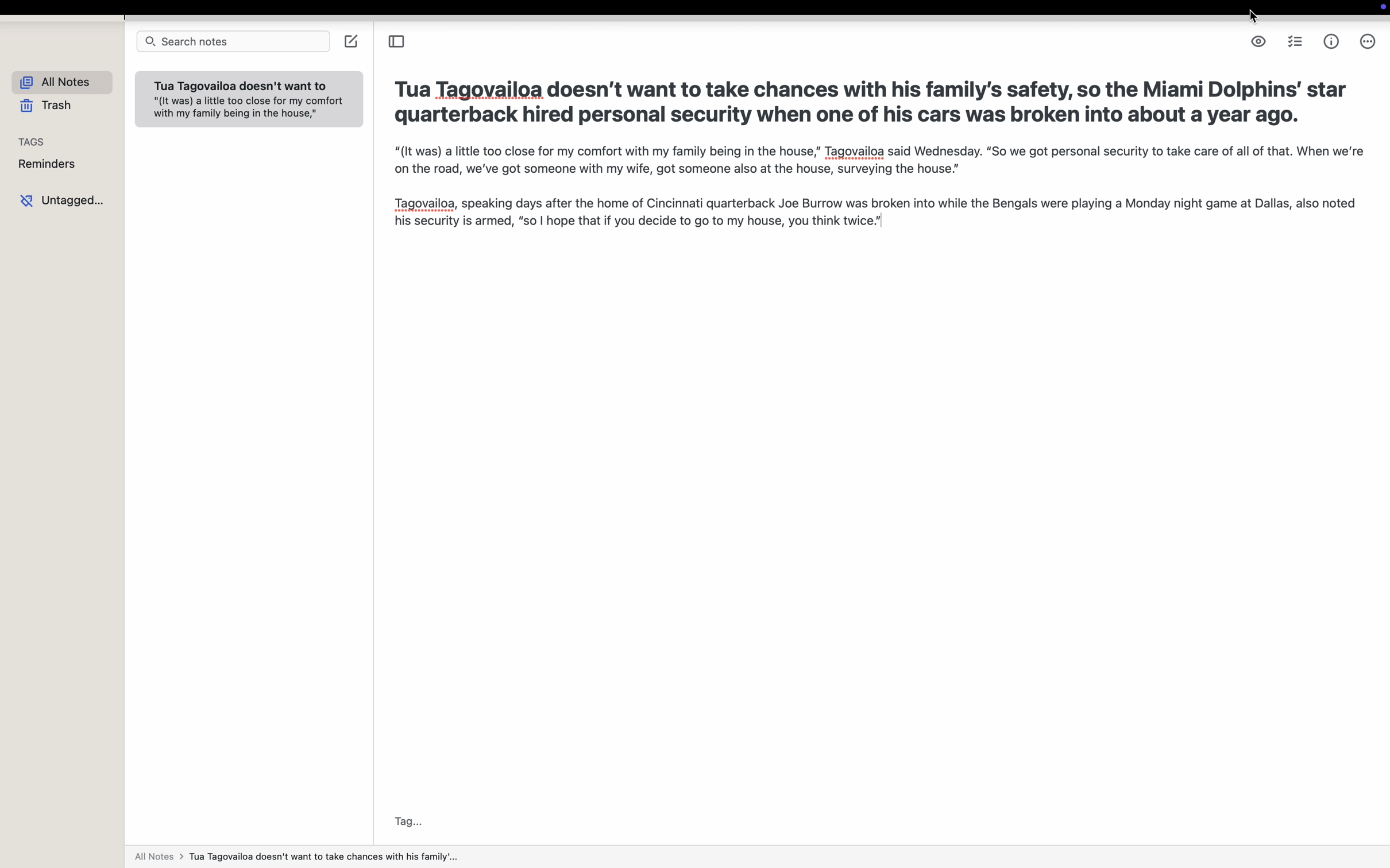  What do you see at coordinates (1331, 41) in the screenshot?
I see `metrics` at bounding box center [1331, 41].